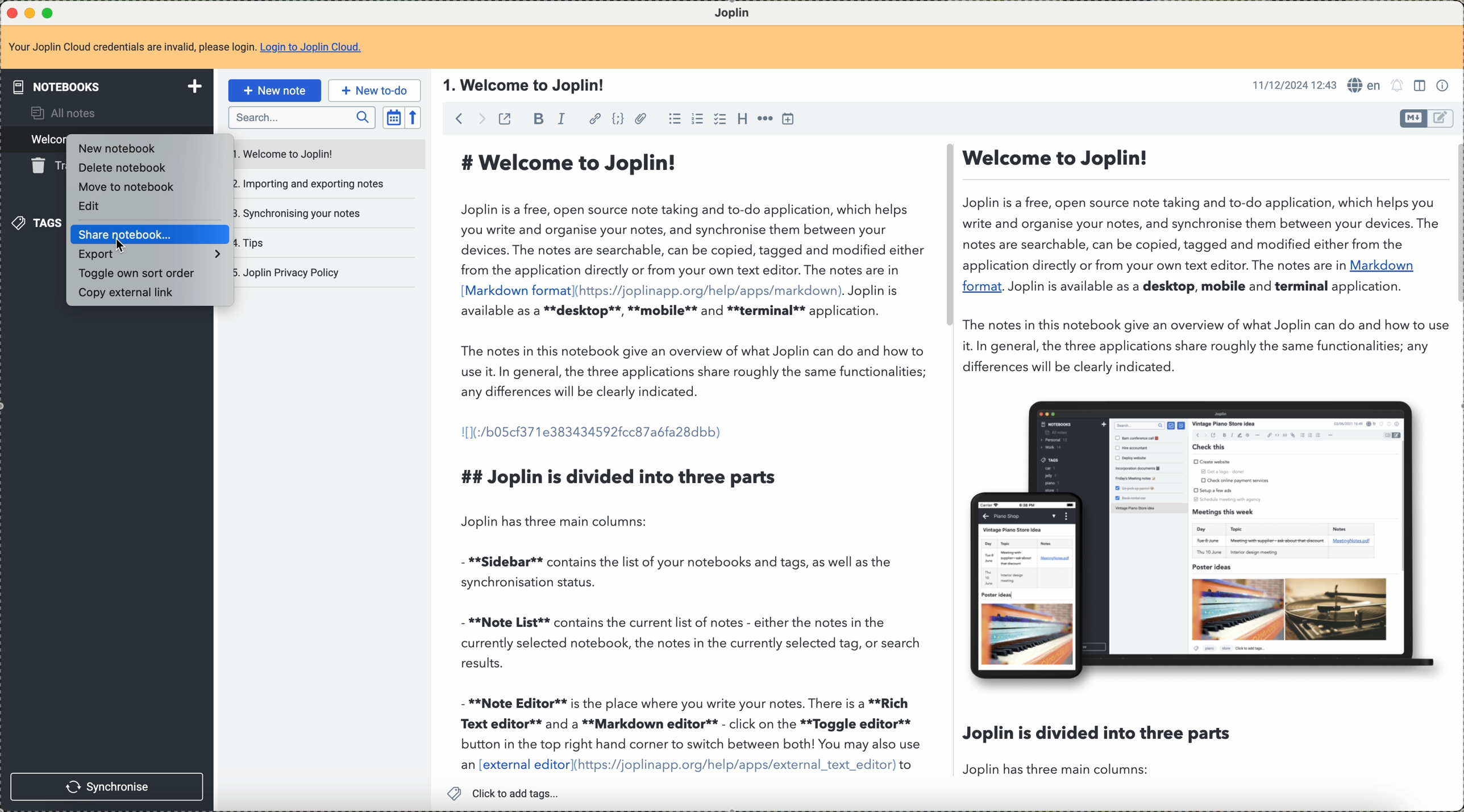 The image size is (1464, 812). Describe the element at coordinates (461, 118) in the screenshot. I see `navigate back note` at that location.